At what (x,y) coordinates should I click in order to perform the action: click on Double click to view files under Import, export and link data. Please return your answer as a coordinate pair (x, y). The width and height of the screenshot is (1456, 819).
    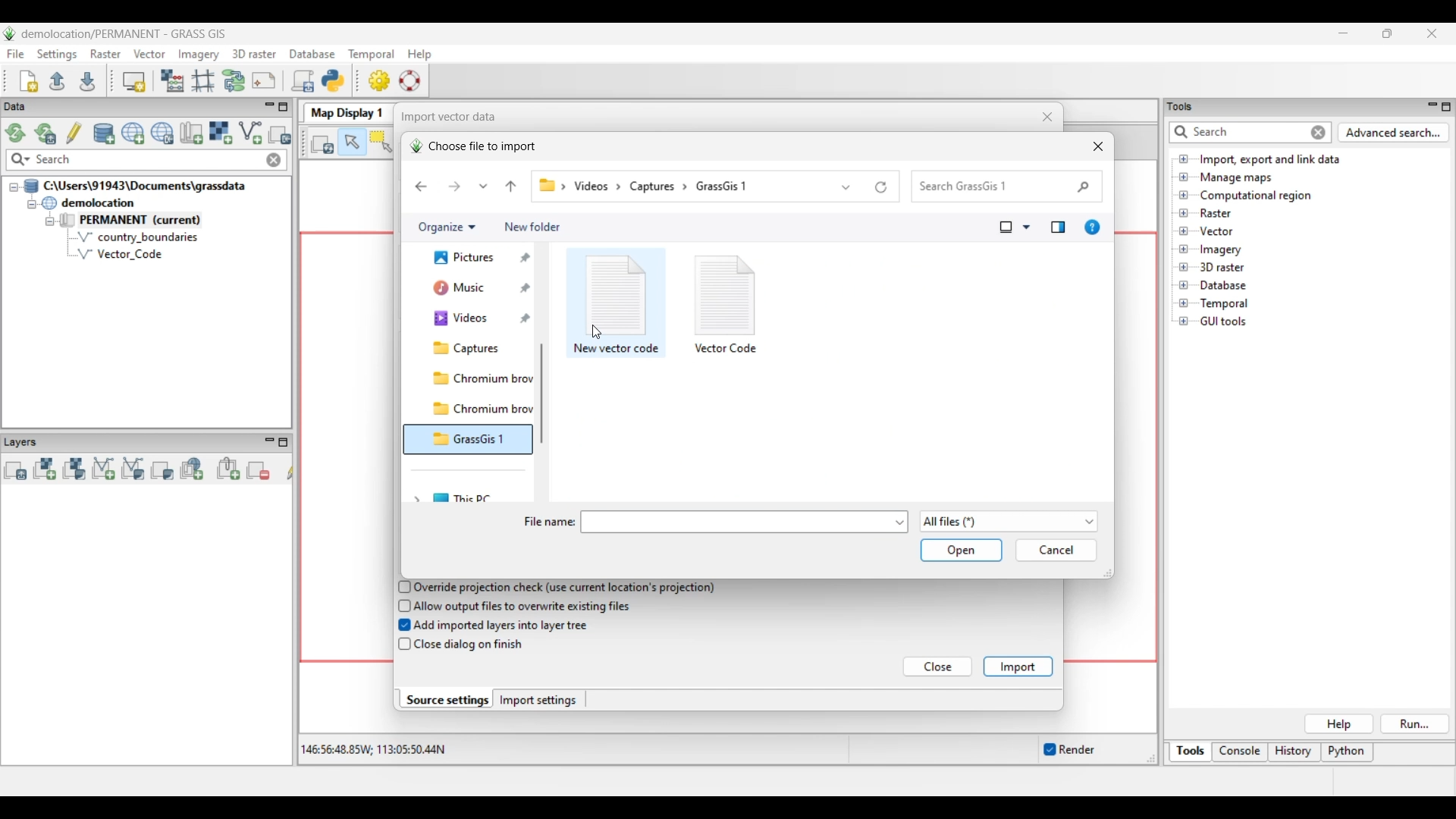
    Looking at the image, I should click on (1270, 160).